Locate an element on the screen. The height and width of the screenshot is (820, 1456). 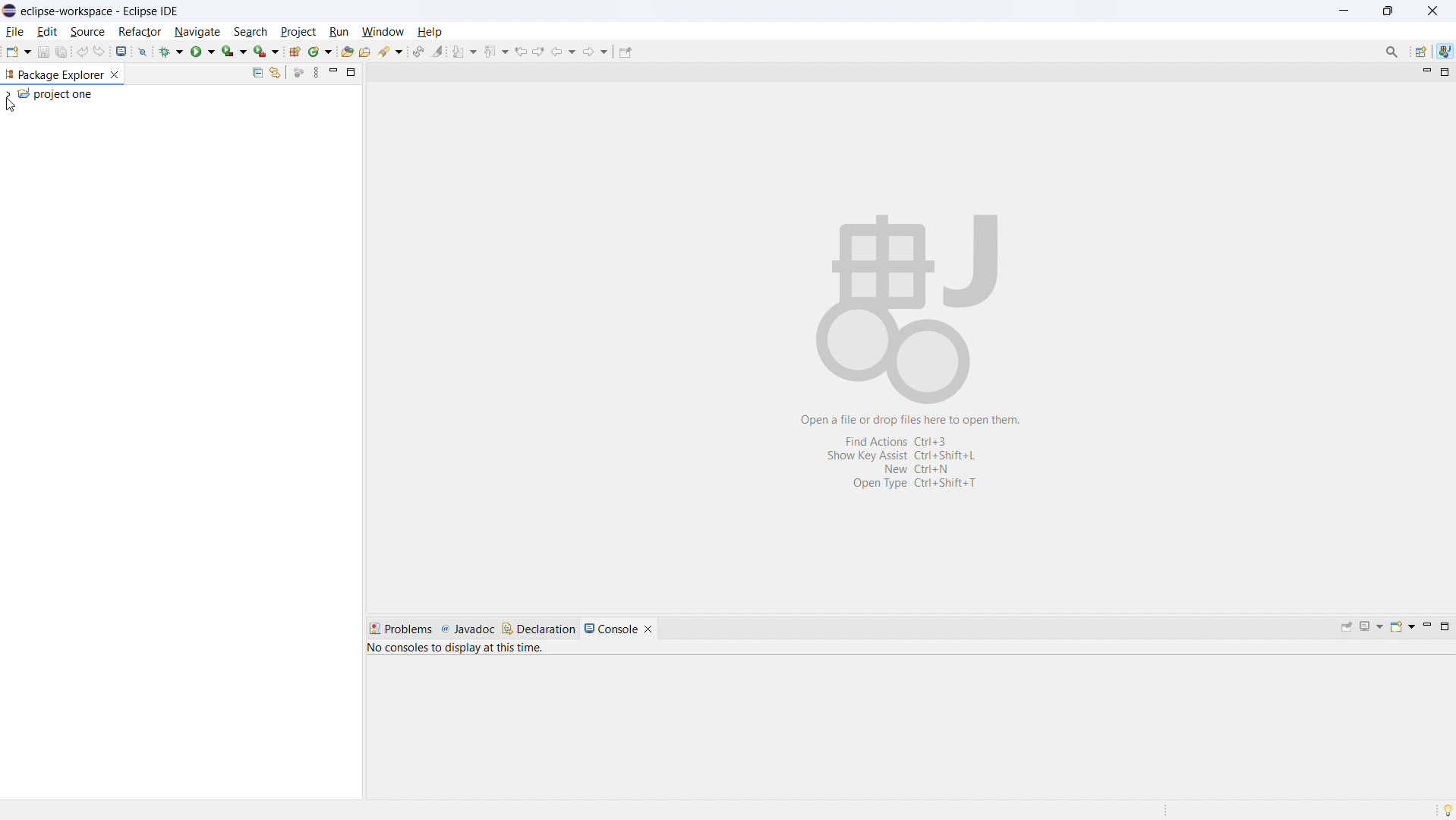
Refactor is located at coordinates (144, 32).